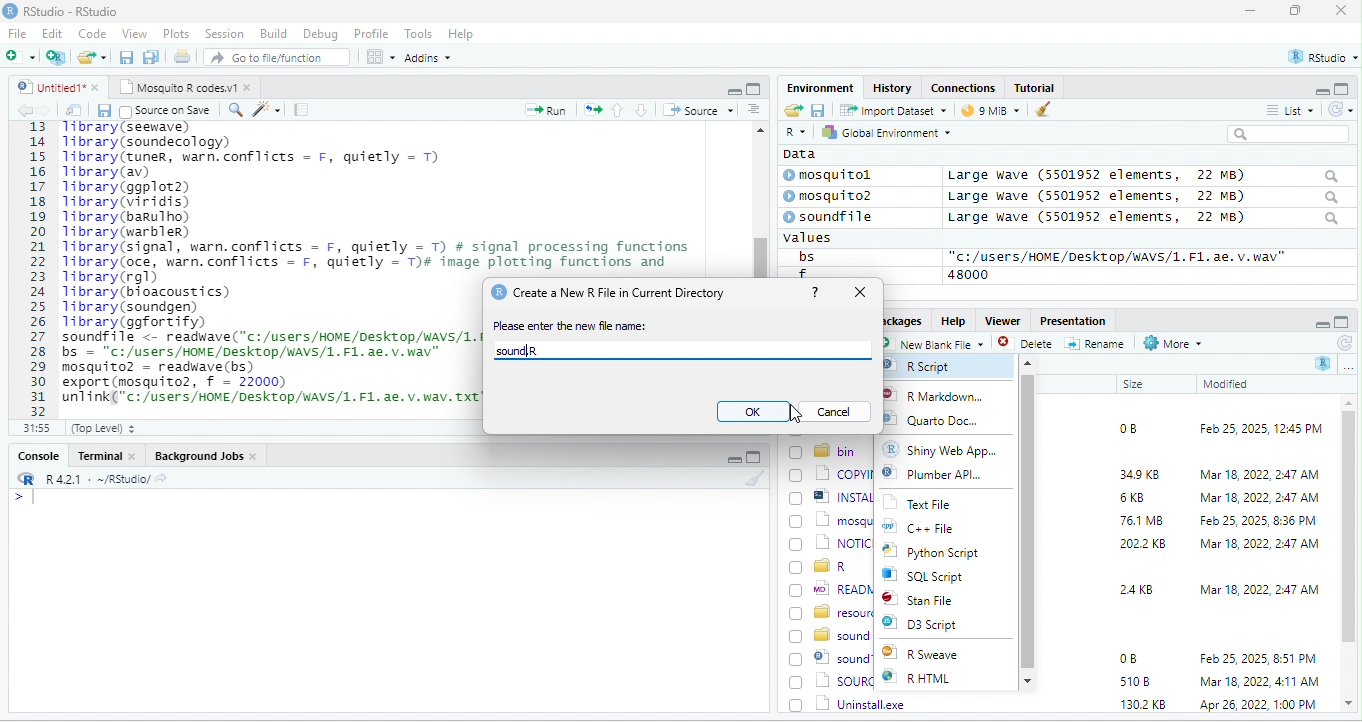  What do you see at coordinates (1142, 175) in the screenshot?
I see `Large wave (5501952 elements, 22 MB)` at bounding box center [1142, 175].